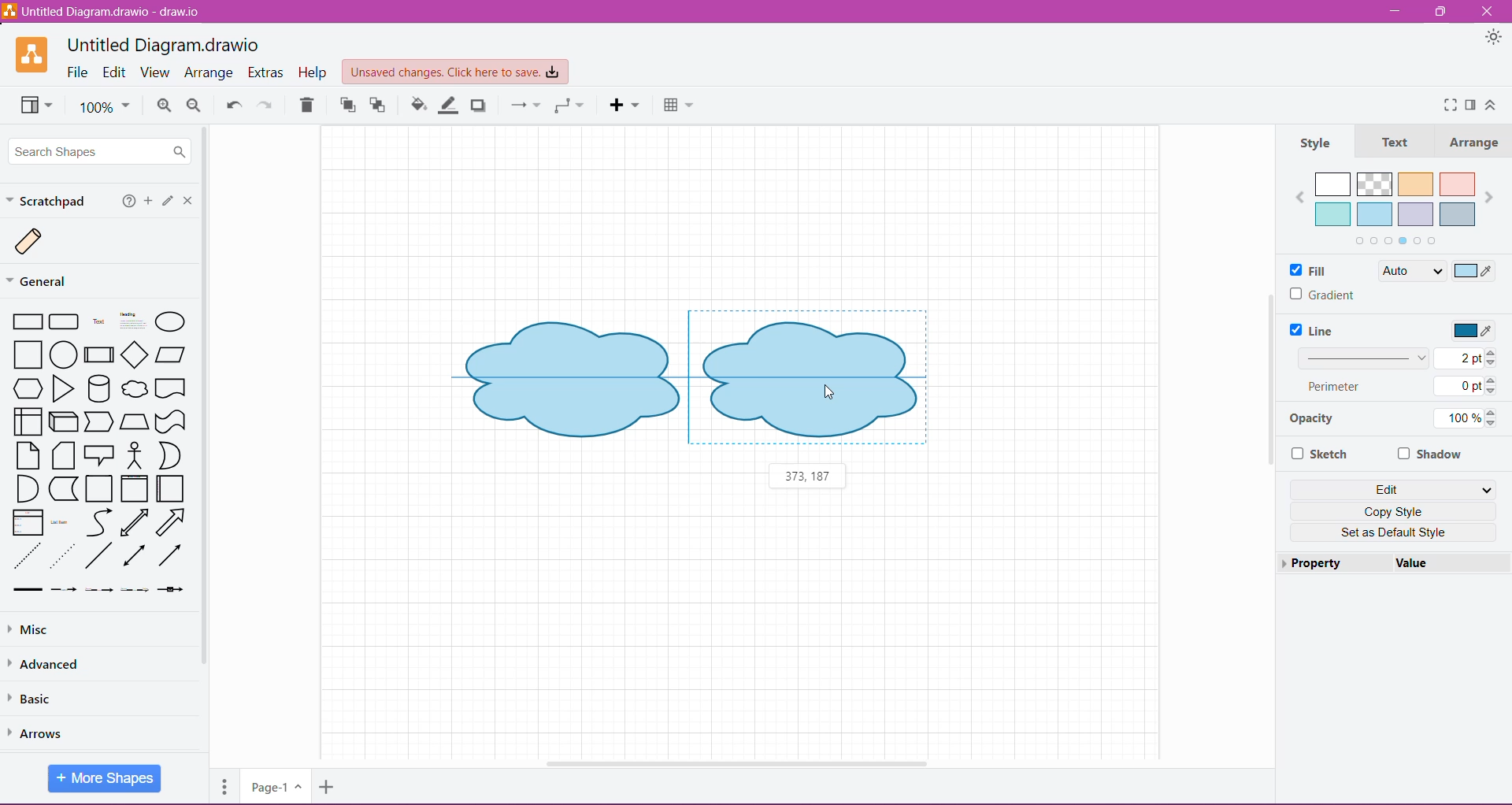 This screenshot has width=1512, height=805. I want to click on Minimize, so click(1393, 12).